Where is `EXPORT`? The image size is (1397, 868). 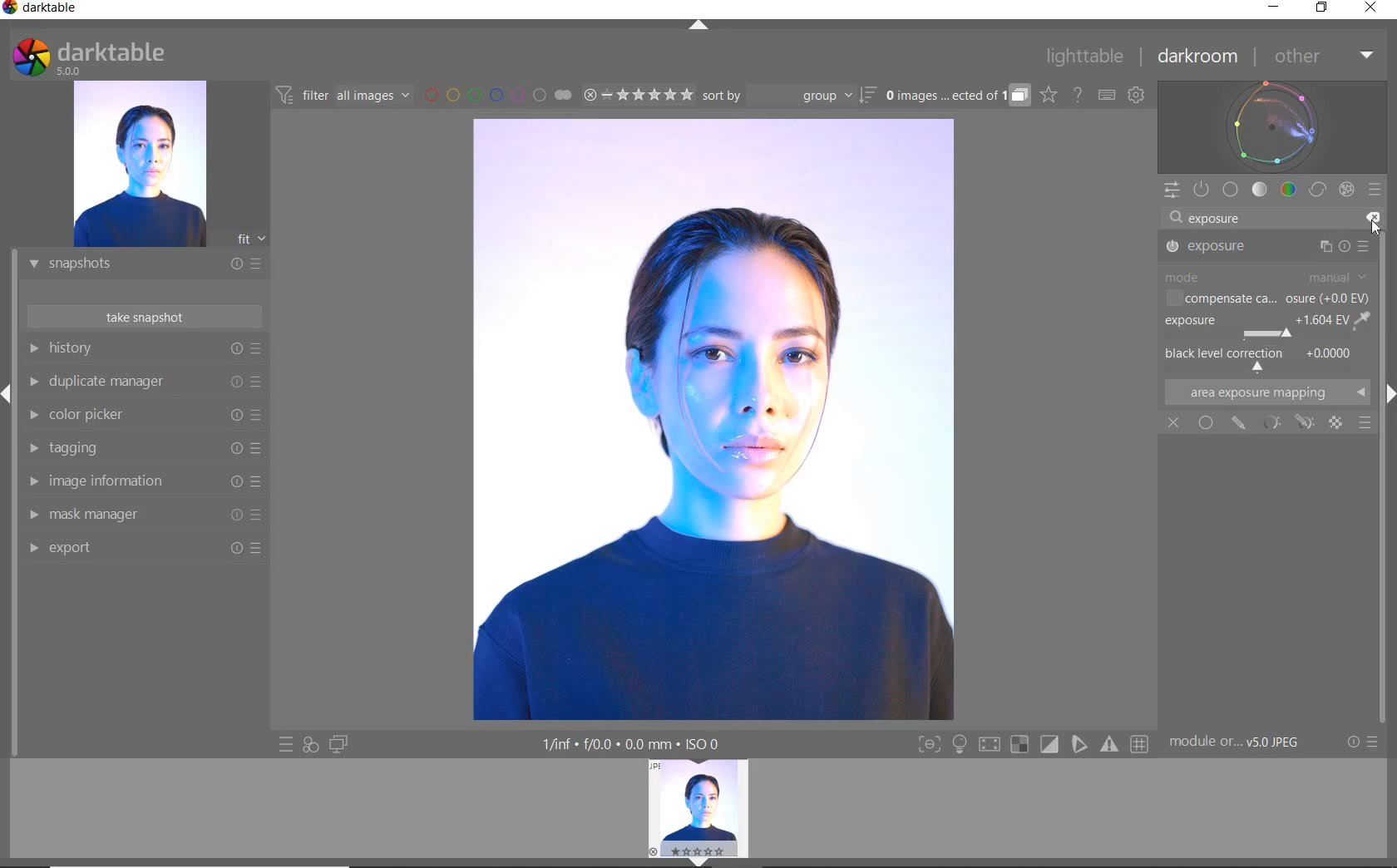 EXPORT is located at coordinates (139, 547).